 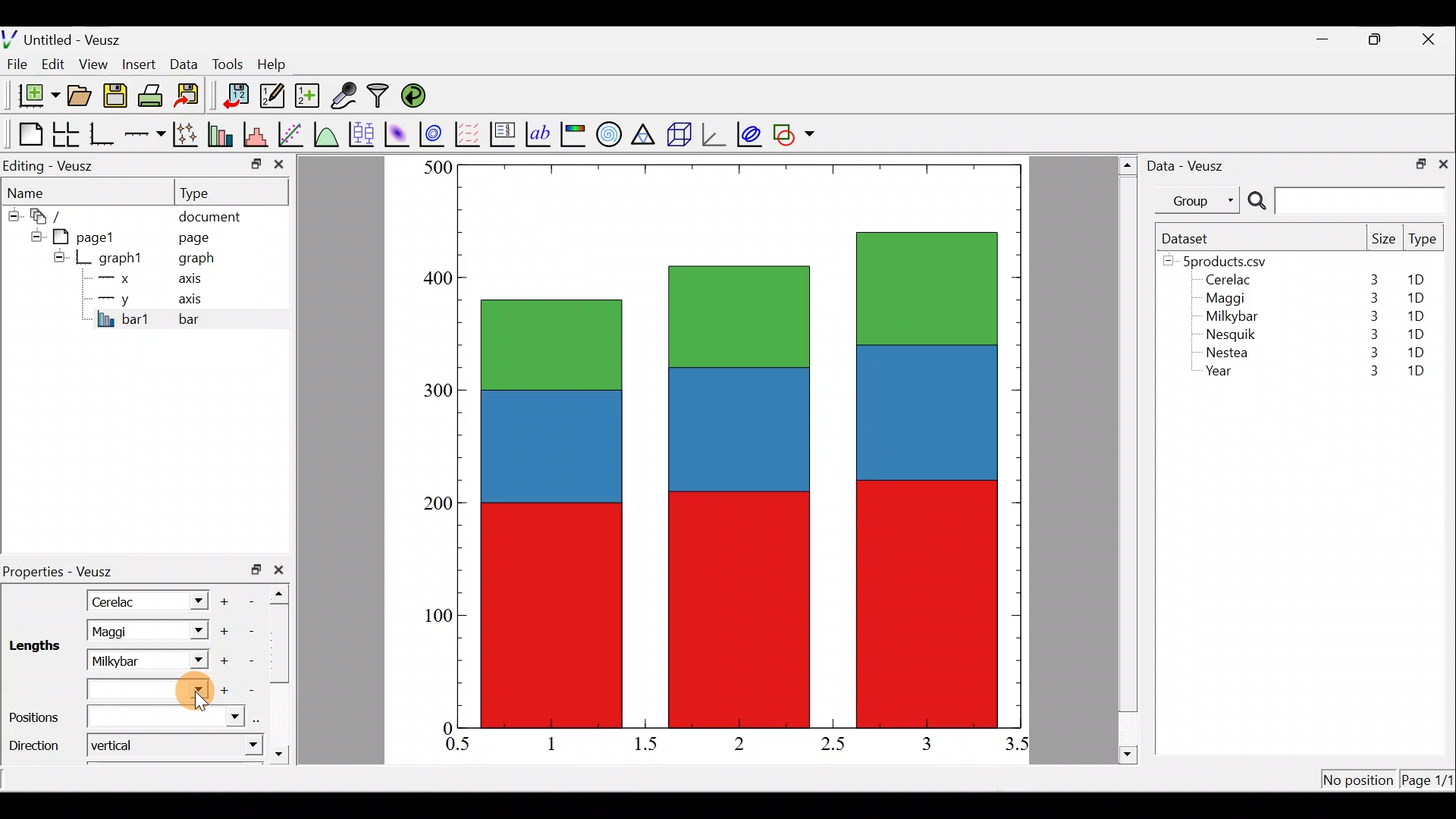 I want to click on 1D, so click(x=1412, y=315).